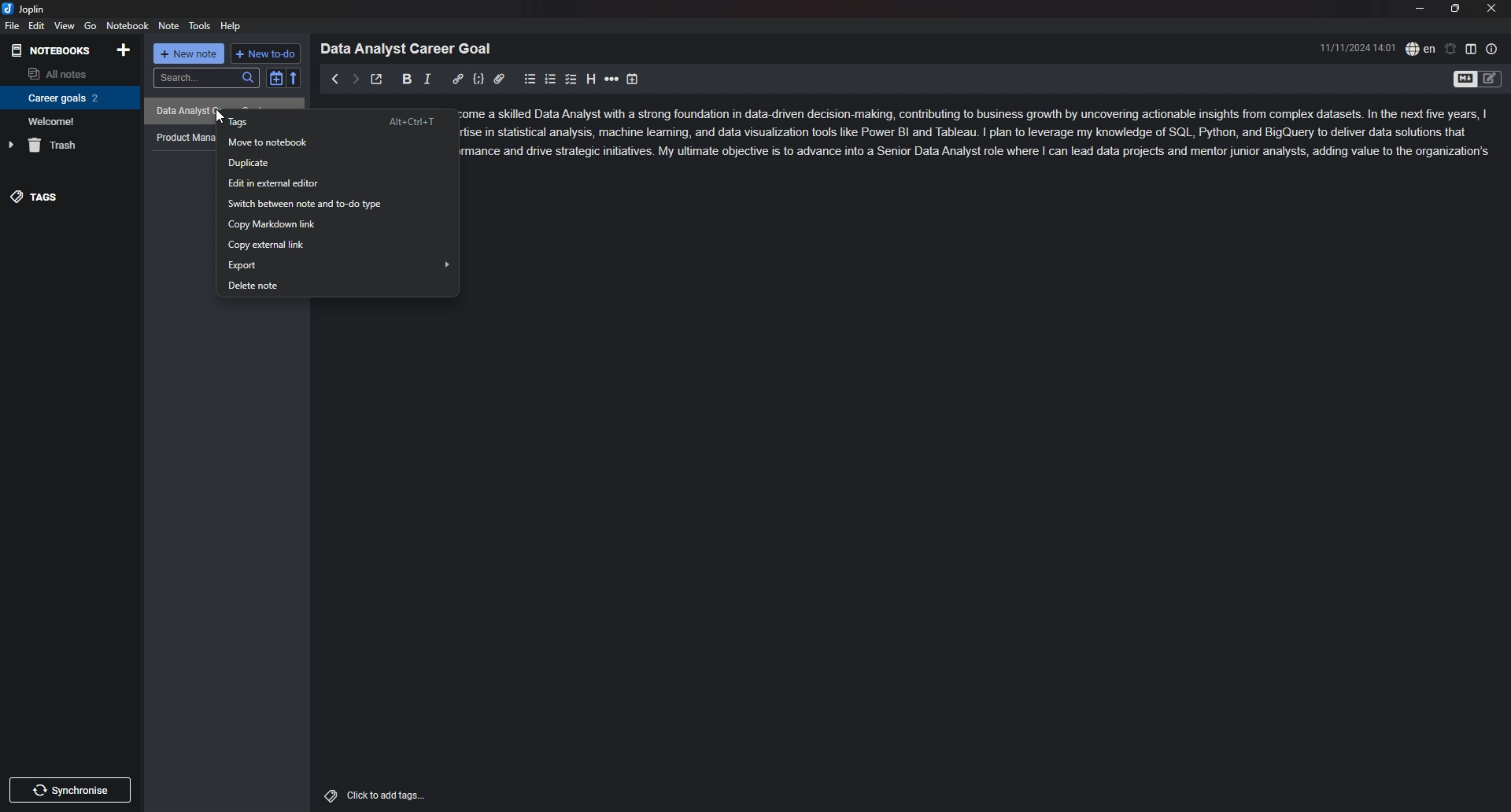 Image resolution: width=1511 pixels, height=812 pixels. What do you see at coordinates (53, 51) in the screenshot?
I see `notebooks` at bounding box center [53, 51].